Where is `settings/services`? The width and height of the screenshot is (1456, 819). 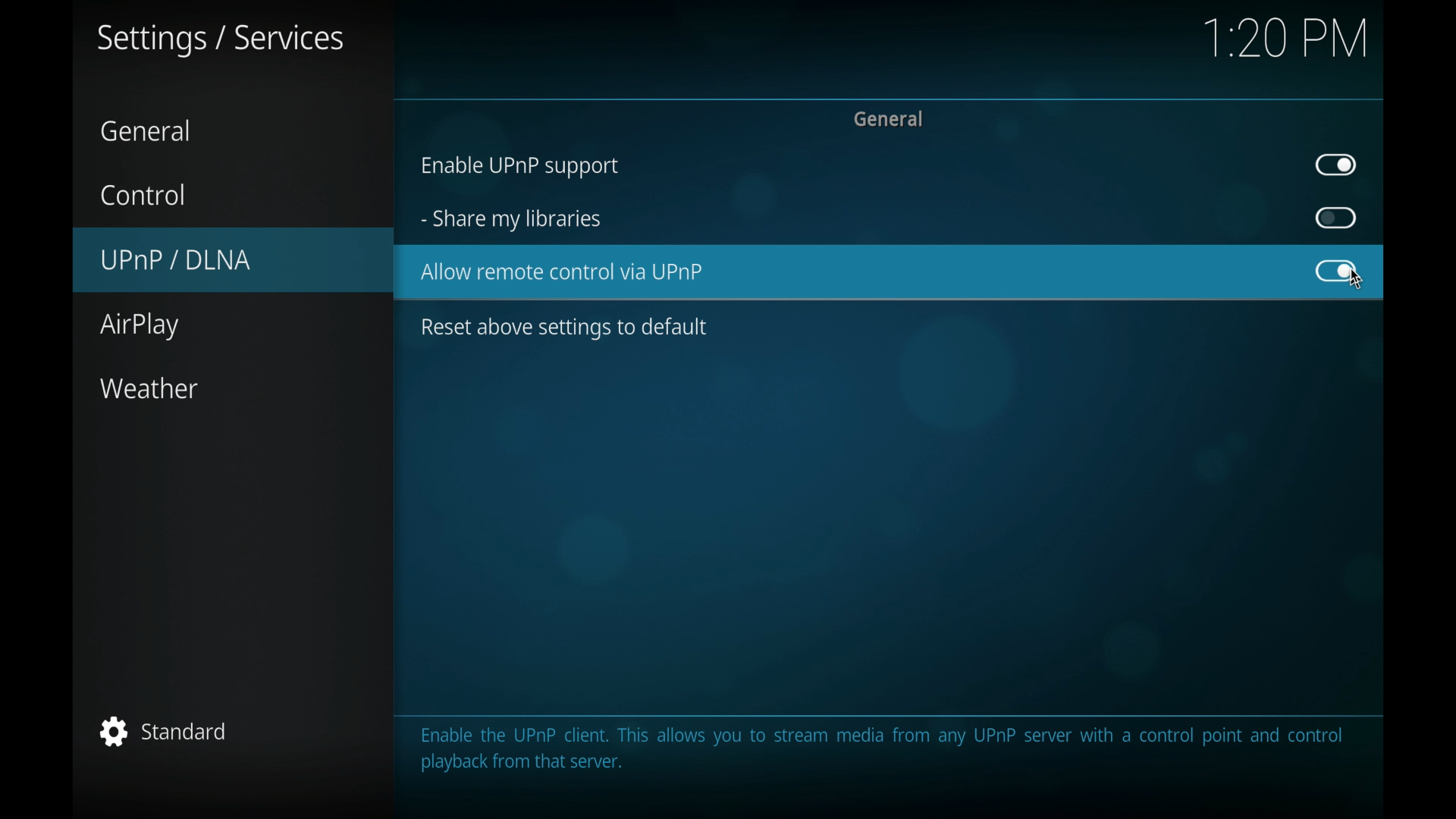
settings/services is located at coordinates (219, 40).